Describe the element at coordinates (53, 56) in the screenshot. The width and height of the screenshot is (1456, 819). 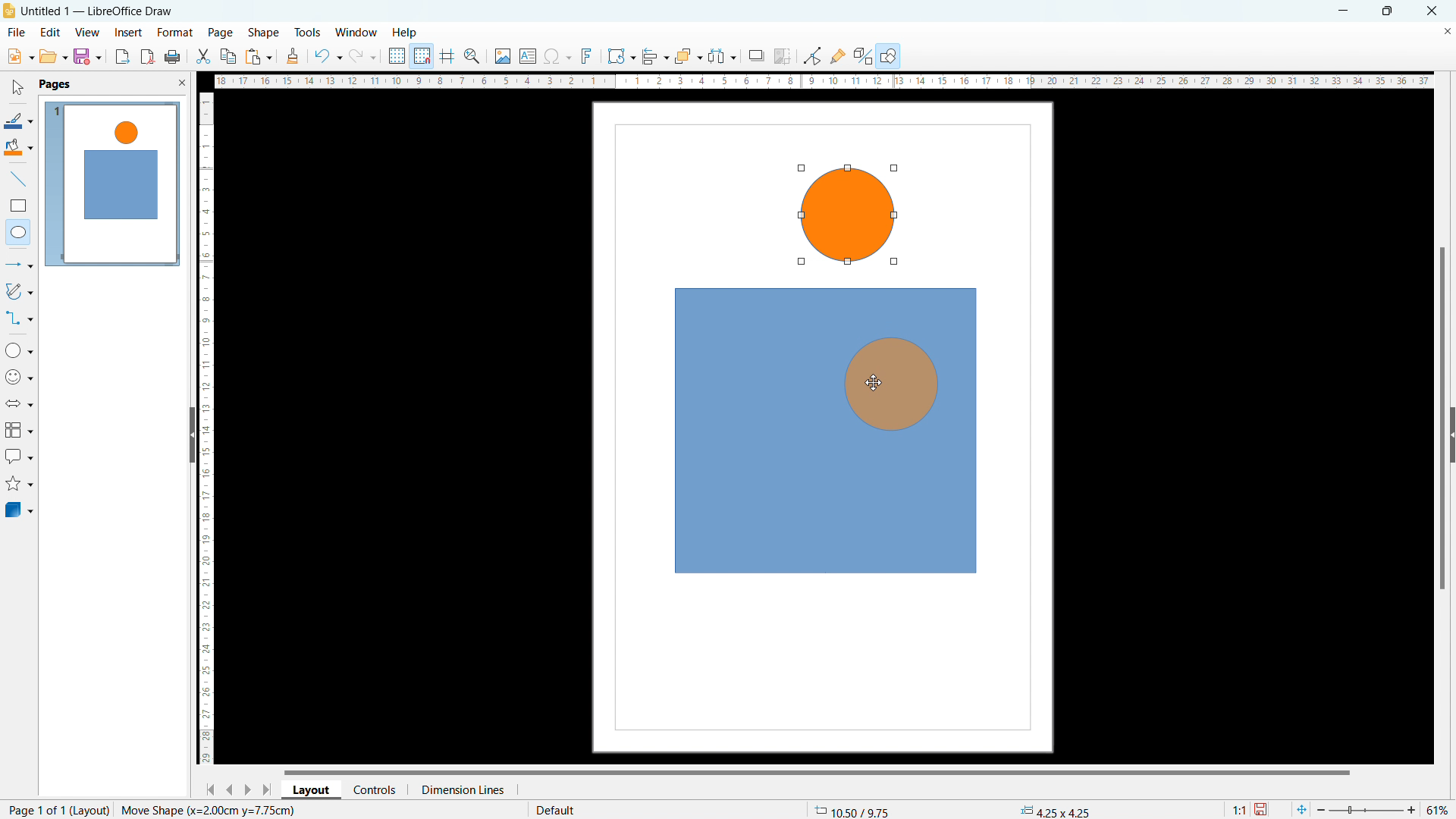
I see `open` at that location.